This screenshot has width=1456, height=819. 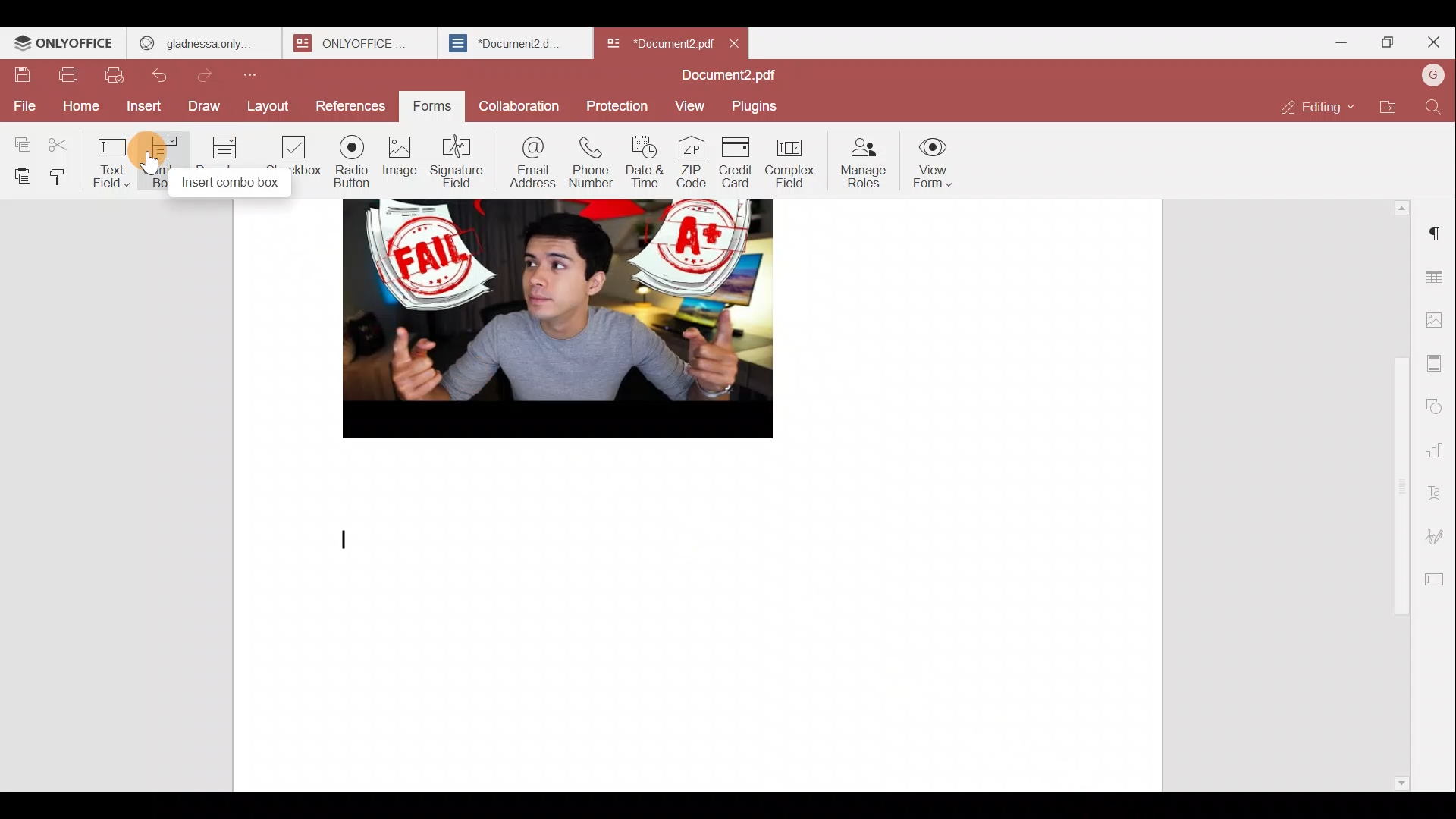 I want to click on Copy style, so click(x=65, y=177).